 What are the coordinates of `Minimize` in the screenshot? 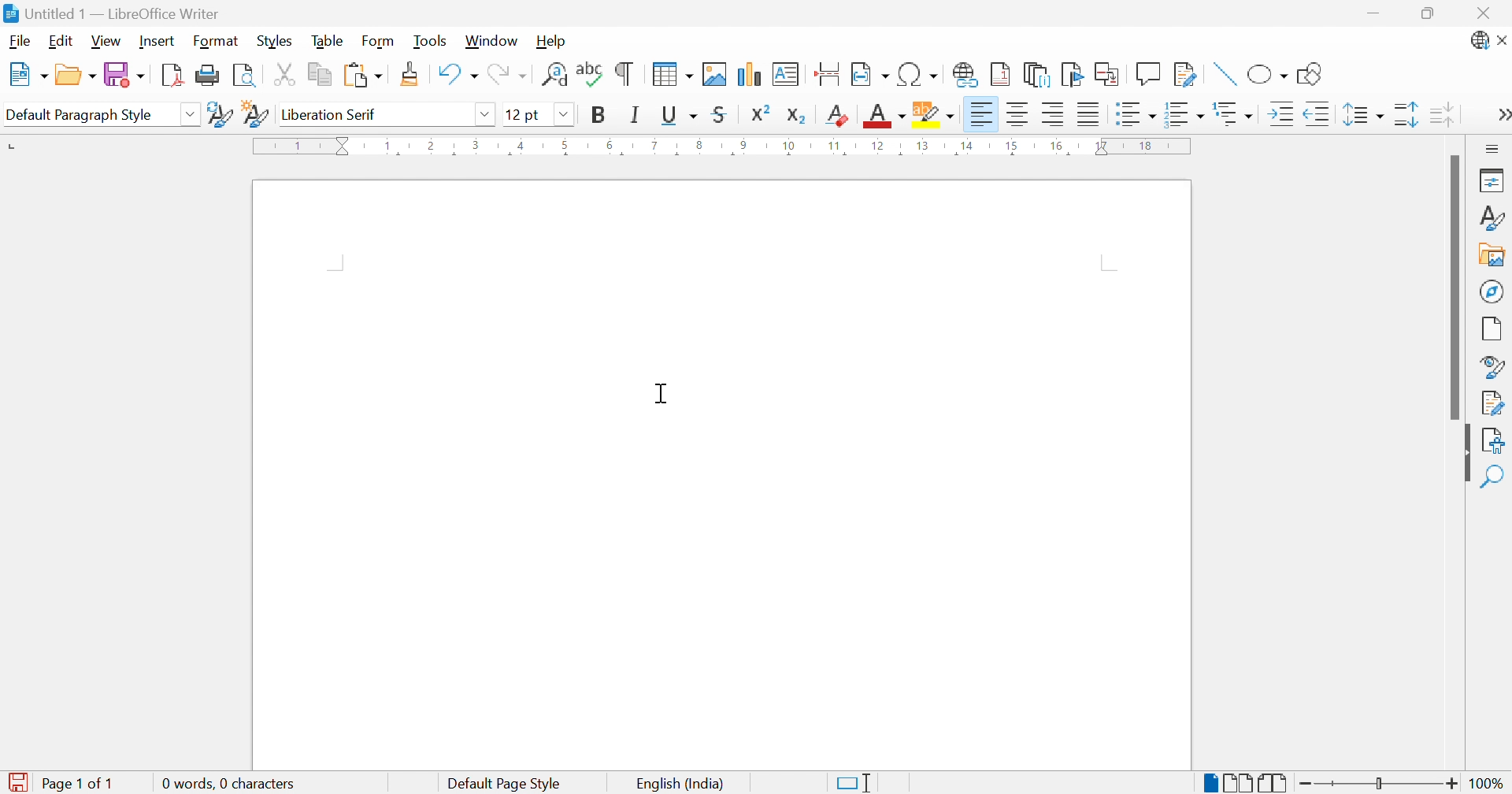 It's located at (1376, 13).